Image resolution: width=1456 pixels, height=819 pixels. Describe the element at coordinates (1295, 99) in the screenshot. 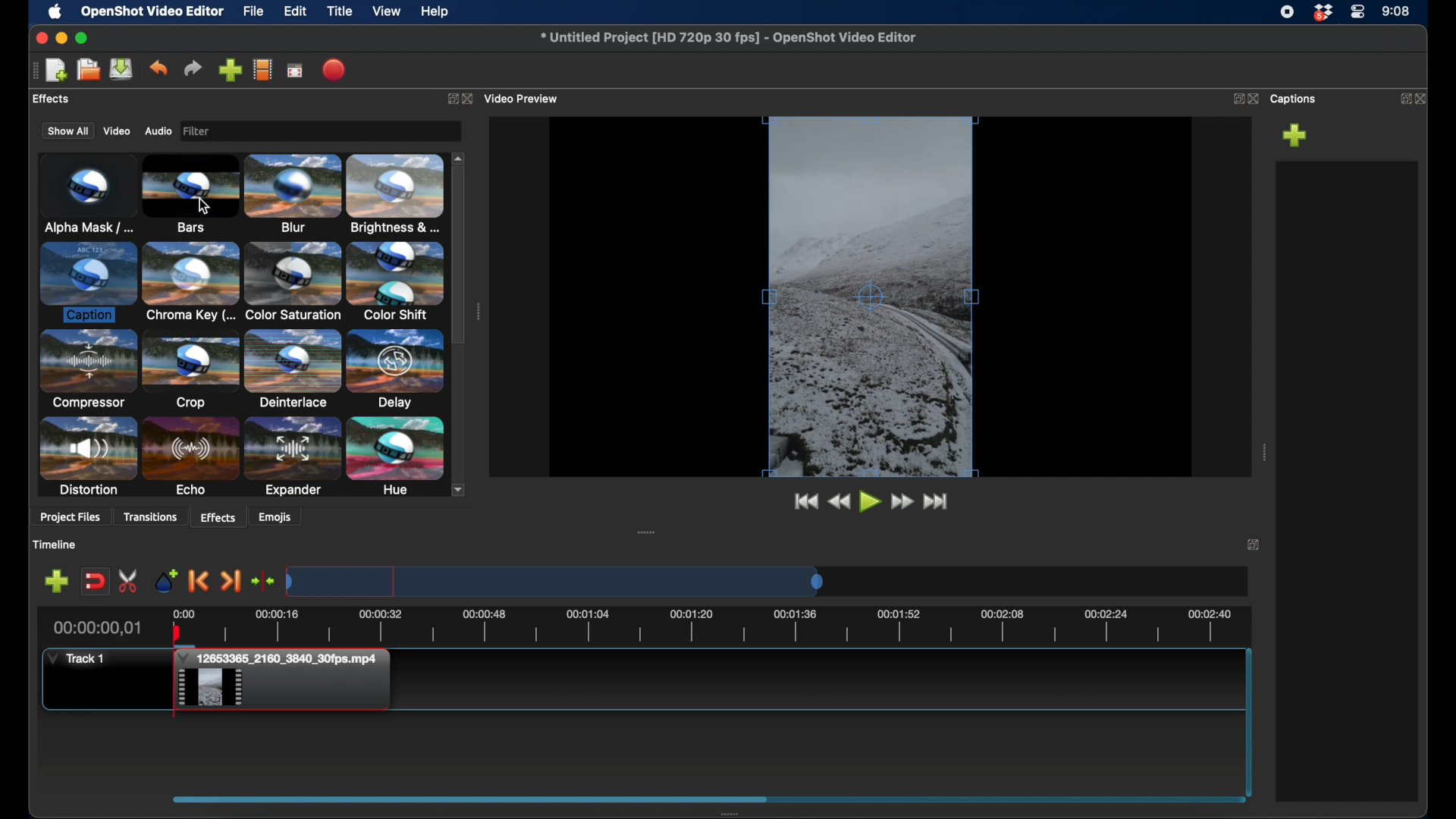

I see `captions` at that location.